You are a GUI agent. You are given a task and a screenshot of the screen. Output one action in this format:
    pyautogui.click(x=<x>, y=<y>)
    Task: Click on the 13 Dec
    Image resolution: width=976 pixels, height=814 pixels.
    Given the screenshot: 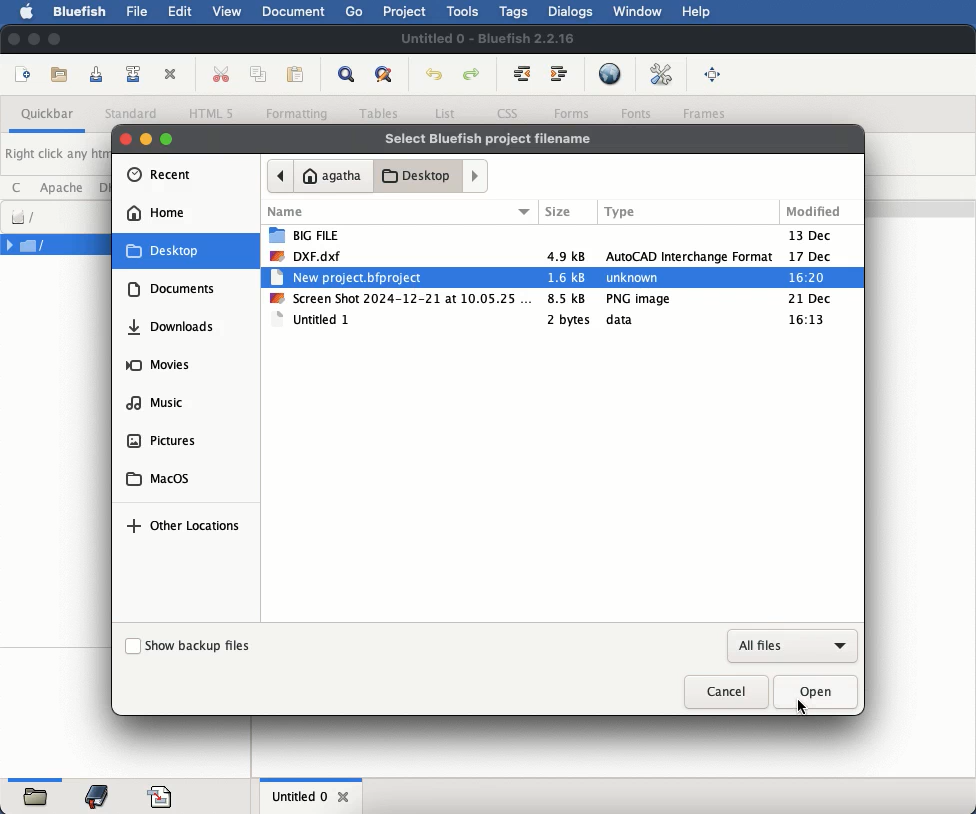 What is the action you would take?
    pyautogui.click(x=807, y=233)
    